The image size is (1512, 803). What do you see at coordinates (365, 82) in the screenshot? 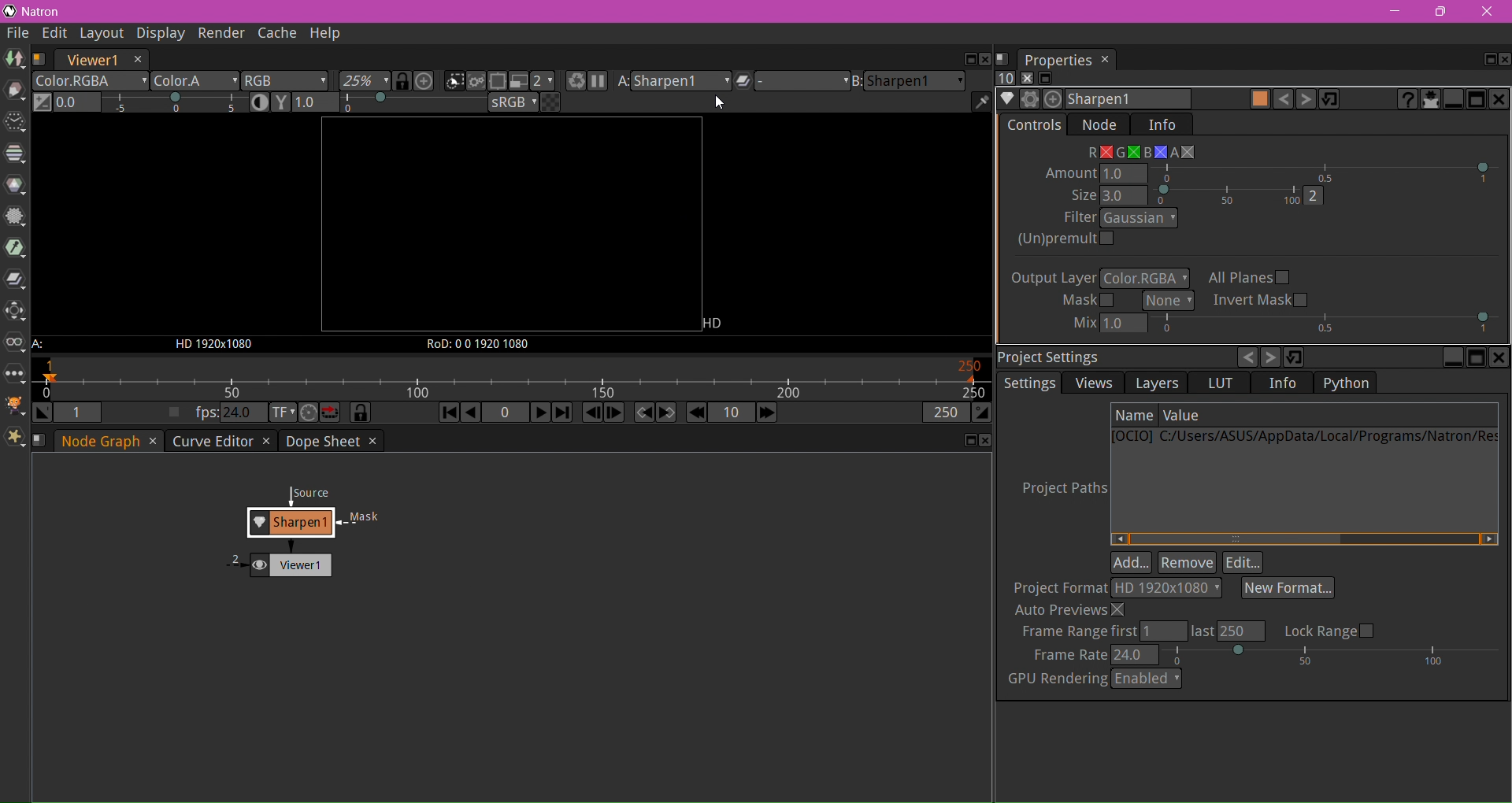
I see `Zoom applied to the image on the viewer` at bounding box center [365, 82].